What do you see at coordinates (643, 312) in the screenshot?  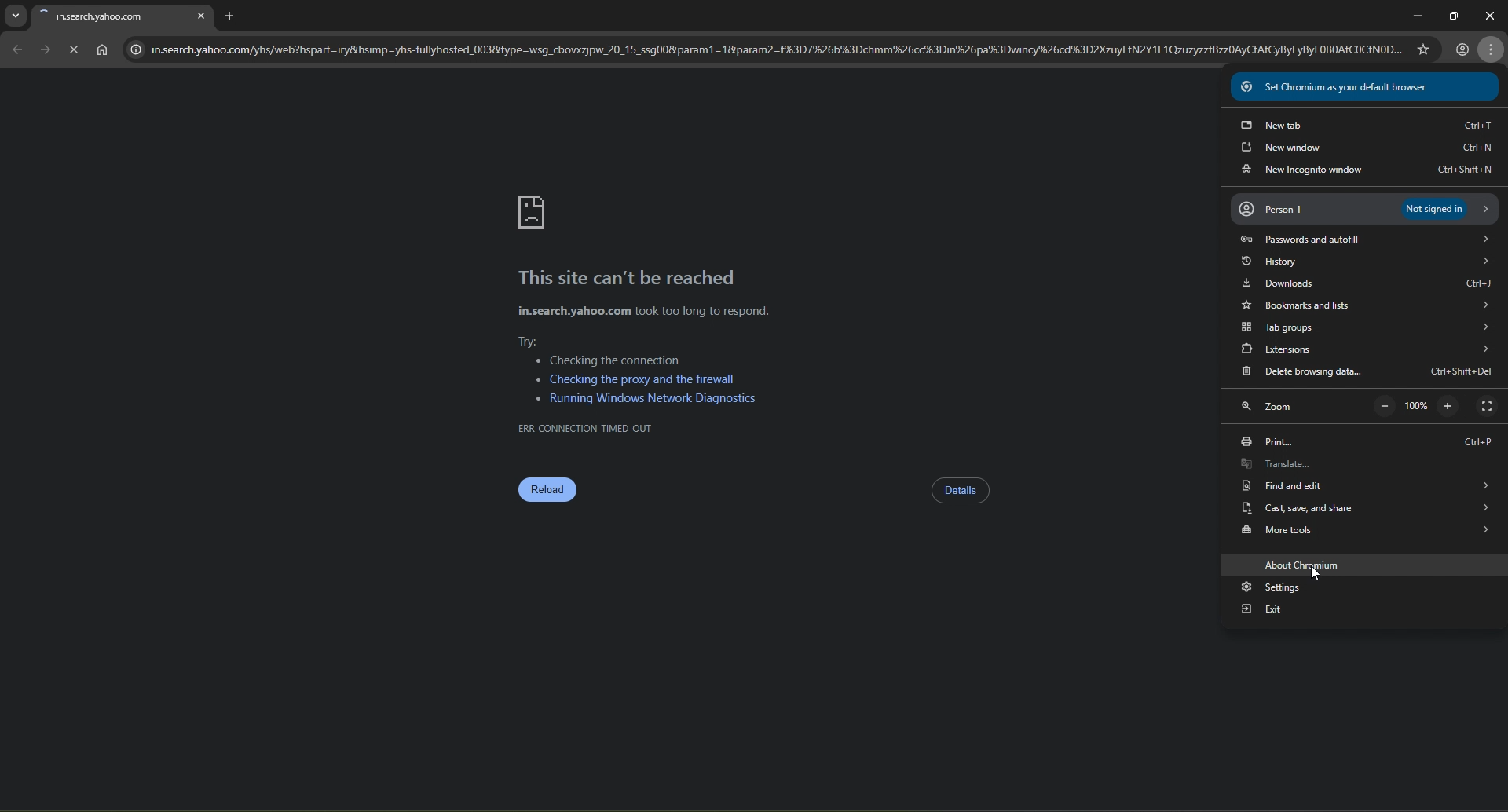 I see `in.search.yahoo.com took too long to respond.` at bounding box center [643, 312].